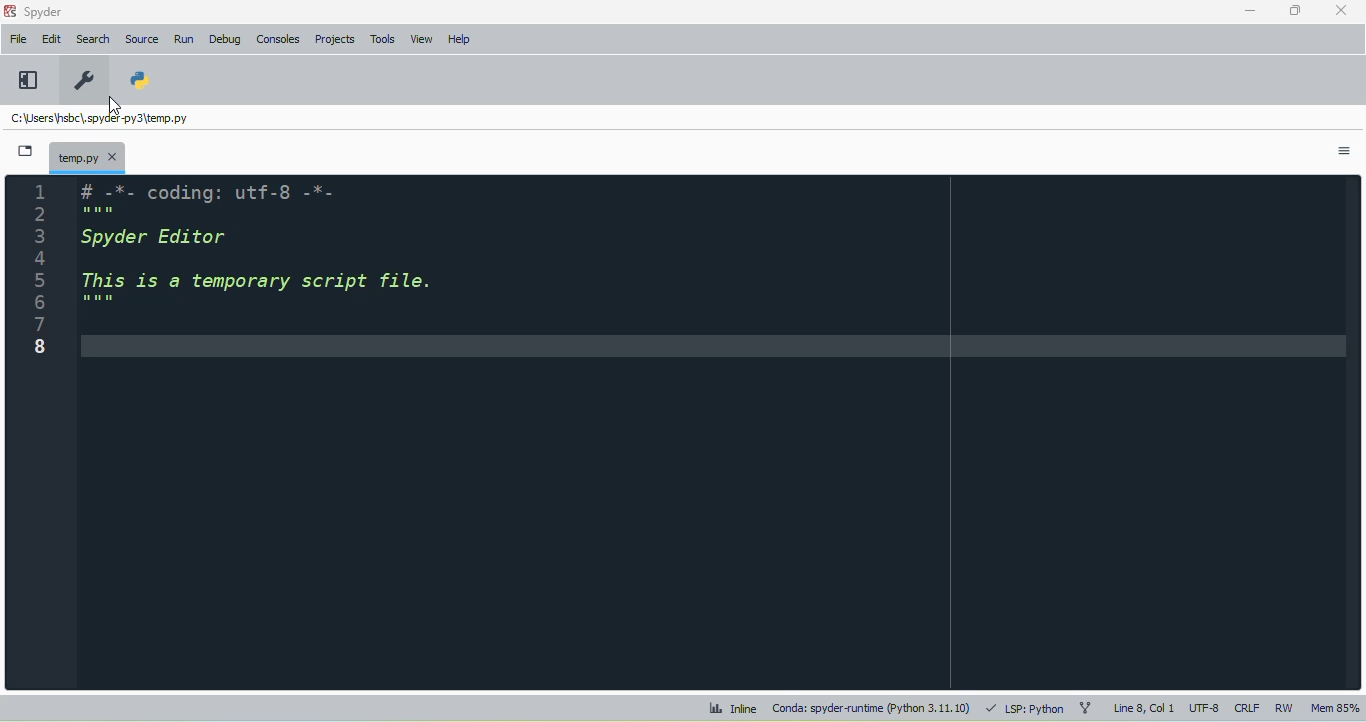 Image resolution: width=1366 pixels, height=722 pixels. What do you see at coordinates (1345, 152) in the screenshot?
I see `options` at bounding box center [1345, 152].